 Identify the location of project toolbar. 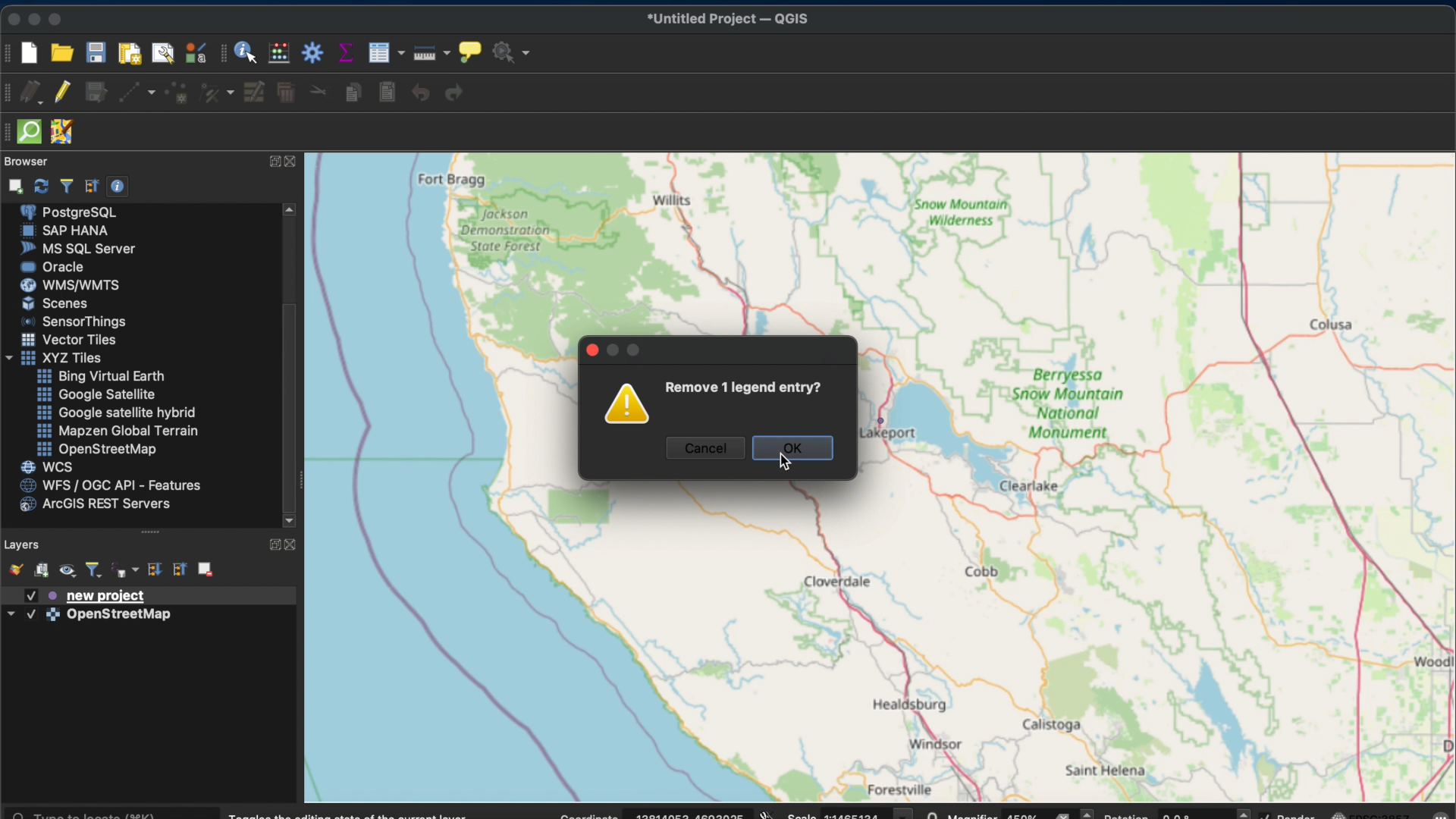
(9, 52).